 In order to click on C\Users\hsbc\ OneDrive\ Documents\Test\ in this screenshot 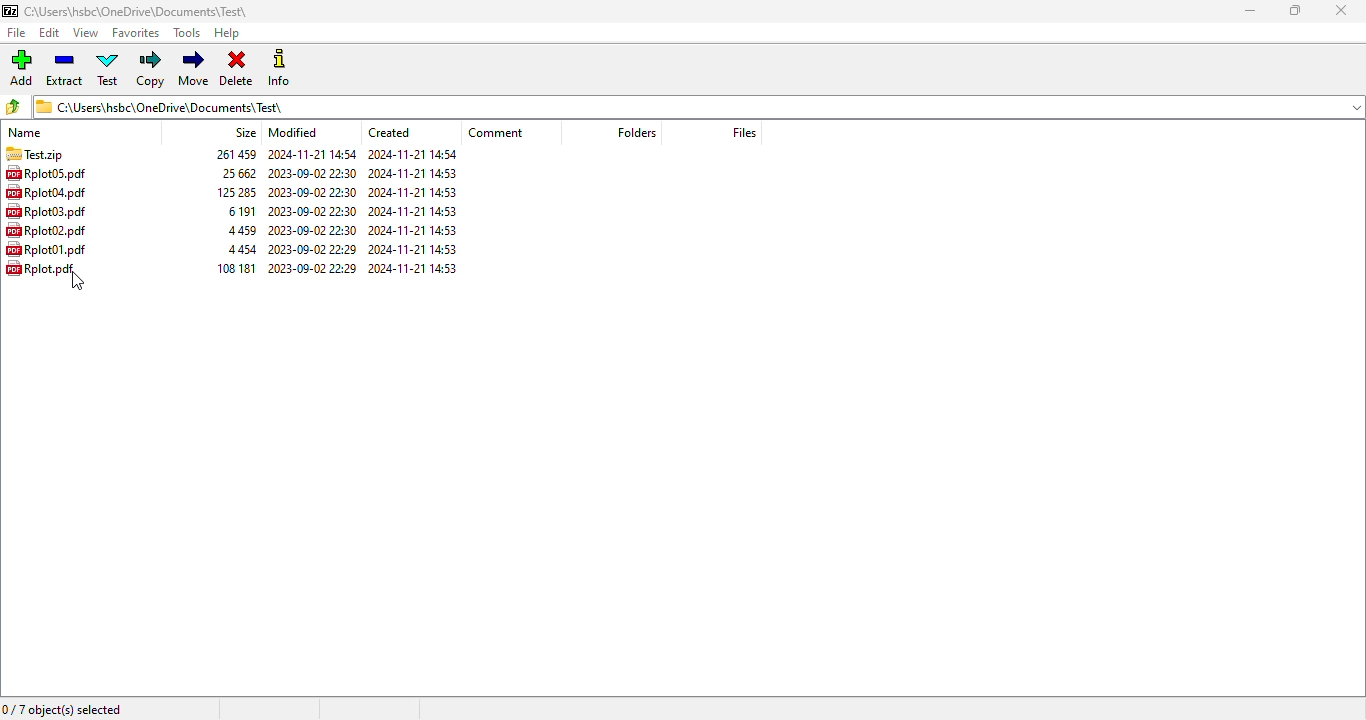, I will do `click(697, 108)`.